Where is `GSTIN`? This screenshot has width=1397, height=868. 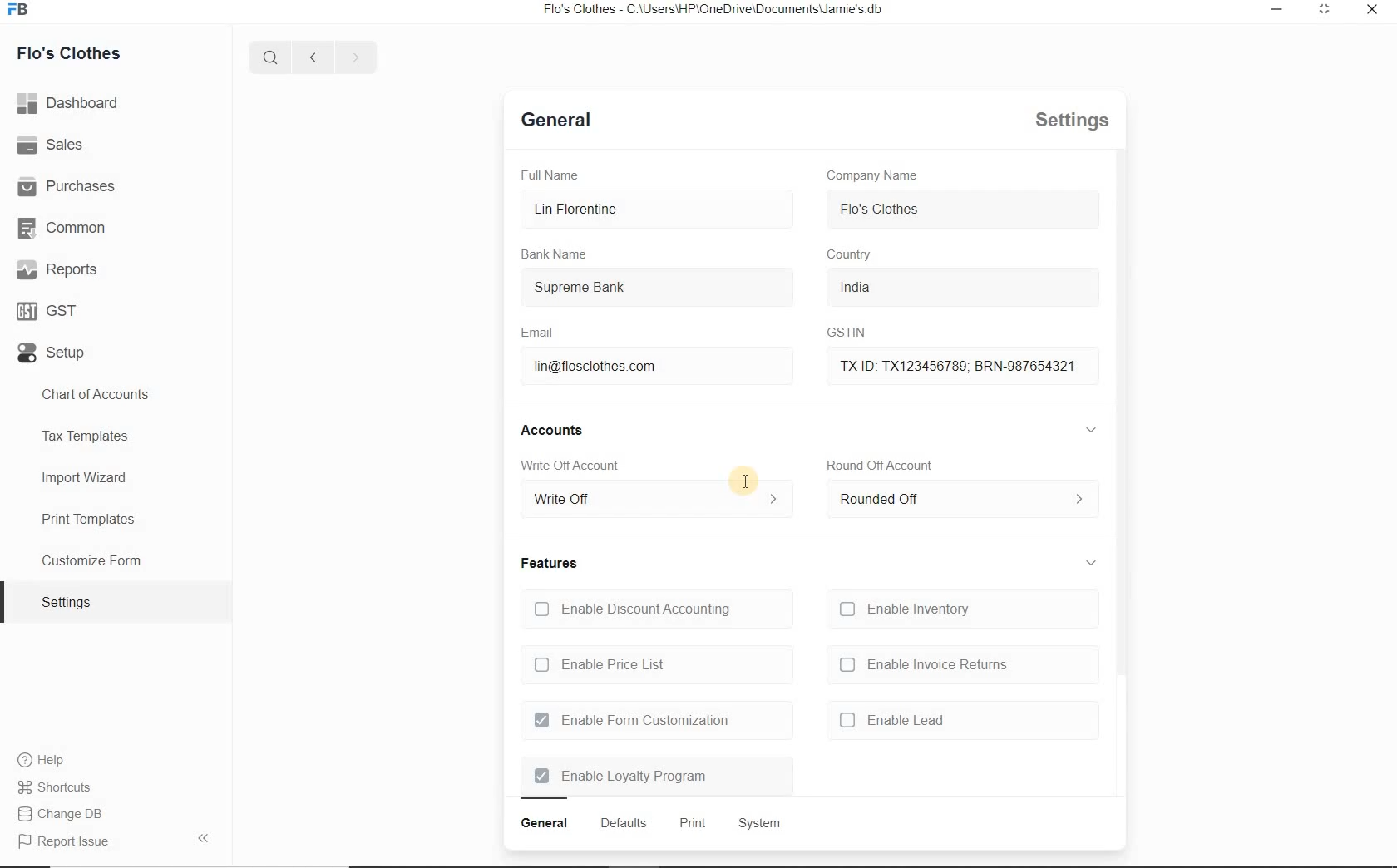
GSTIN is located at coordinates (845, 328).